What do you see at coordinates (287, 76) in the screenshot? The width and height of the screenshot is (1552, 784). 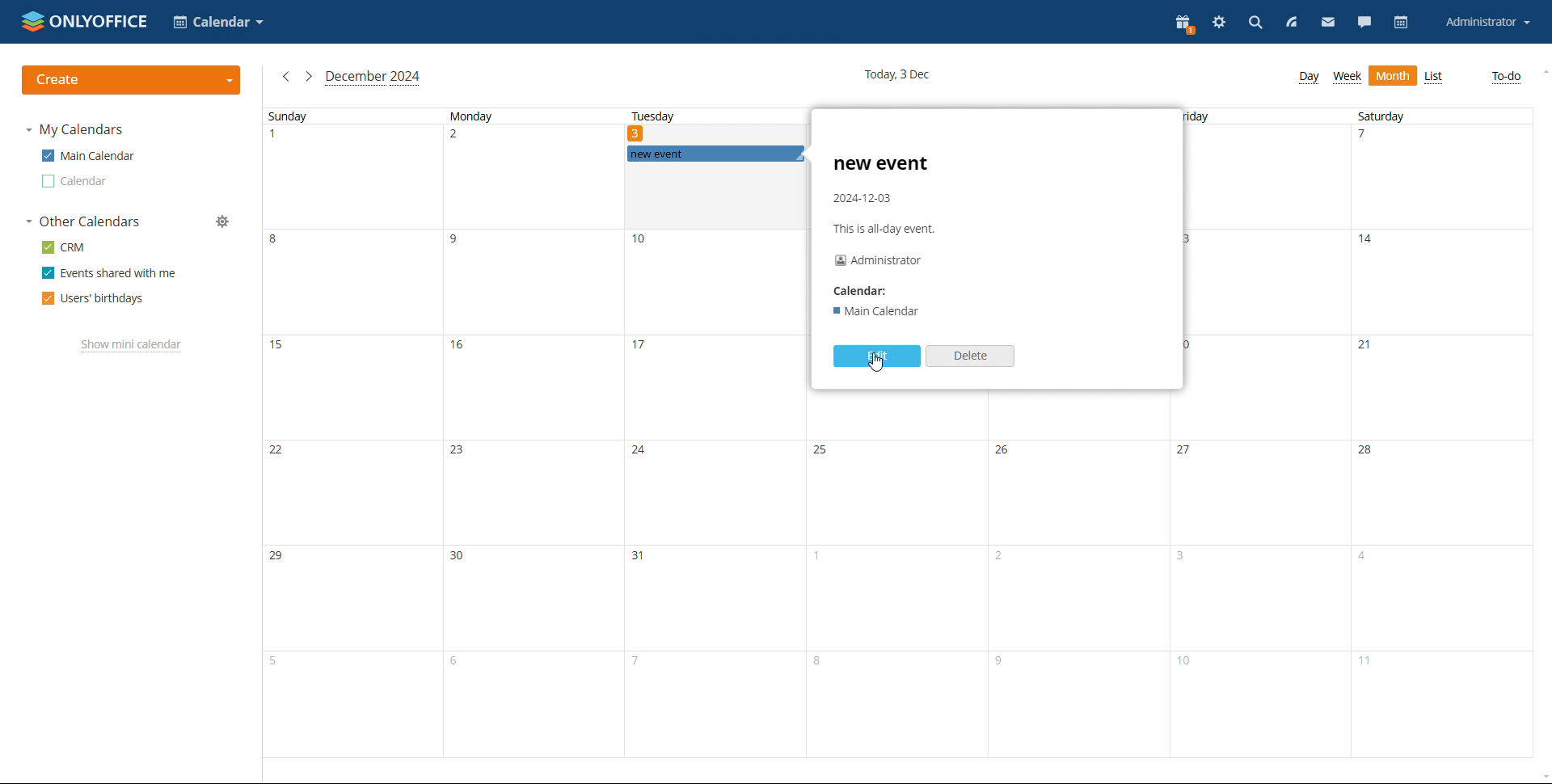 I see `previous month` at bounding box center [287, 76].